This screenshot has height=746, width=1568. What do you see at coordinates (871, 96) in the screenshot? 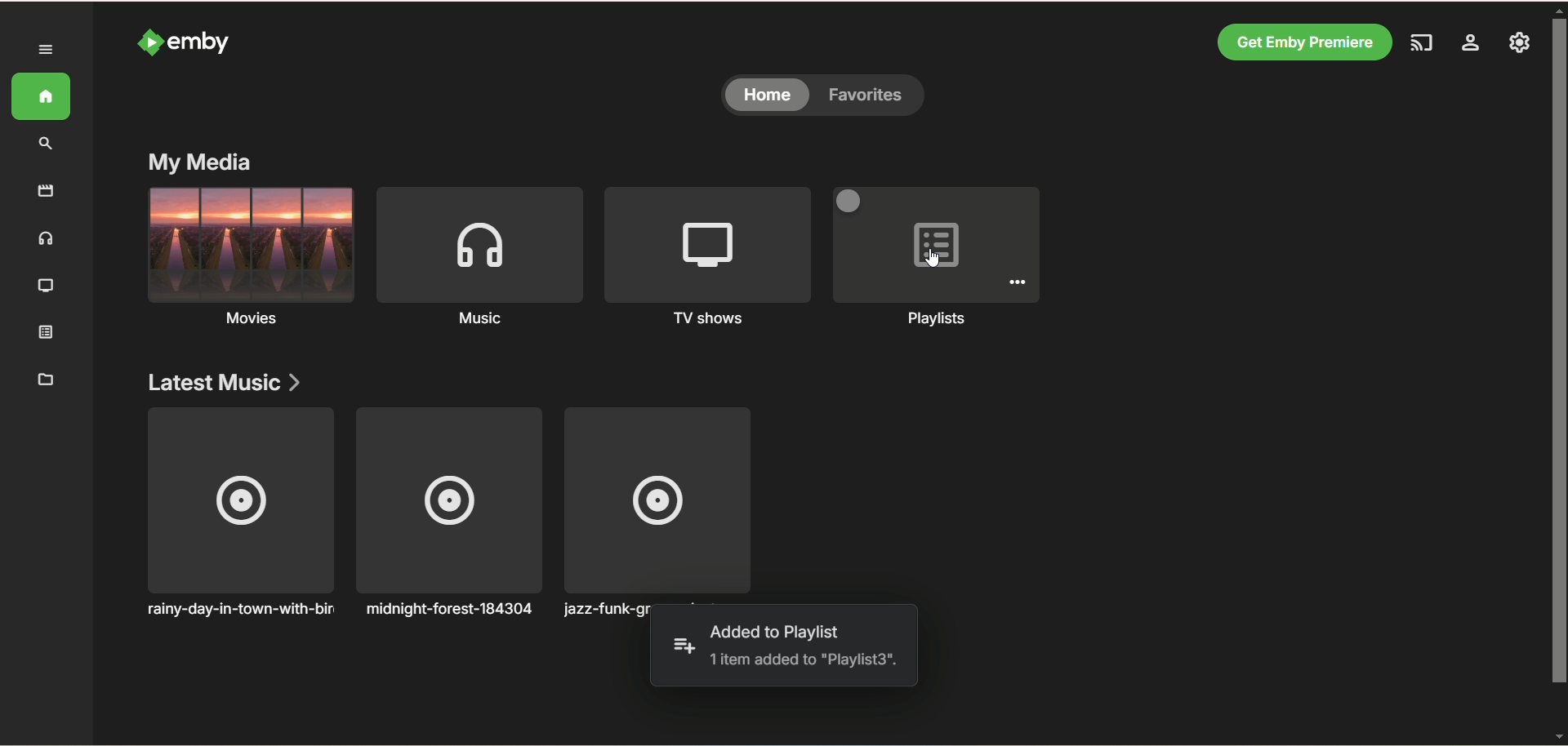
I see `favorites` at bounding box center [871, 96].